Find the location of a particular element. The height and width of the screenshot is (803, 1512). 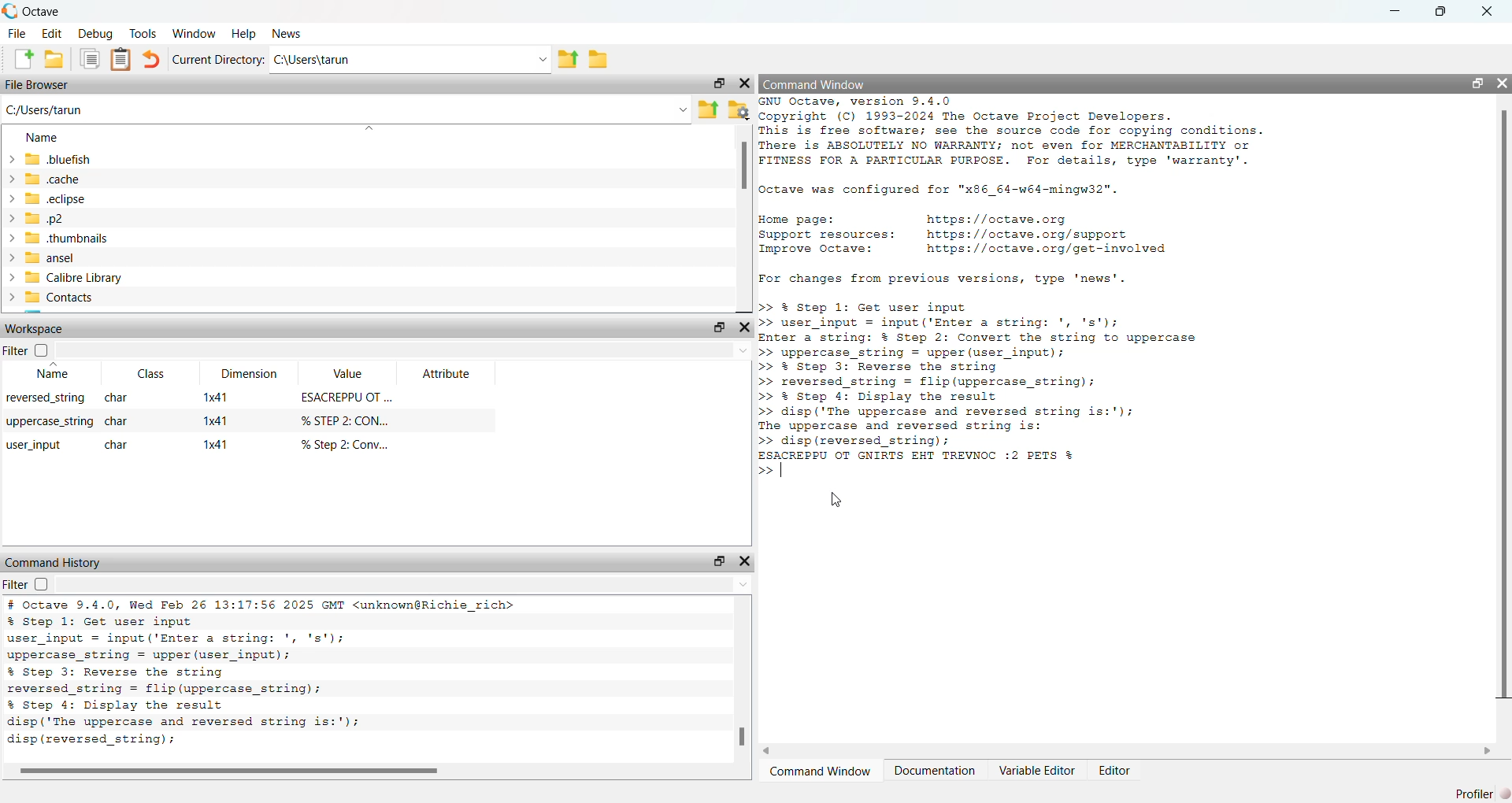

1x41 is located at coordinates (217, 397).